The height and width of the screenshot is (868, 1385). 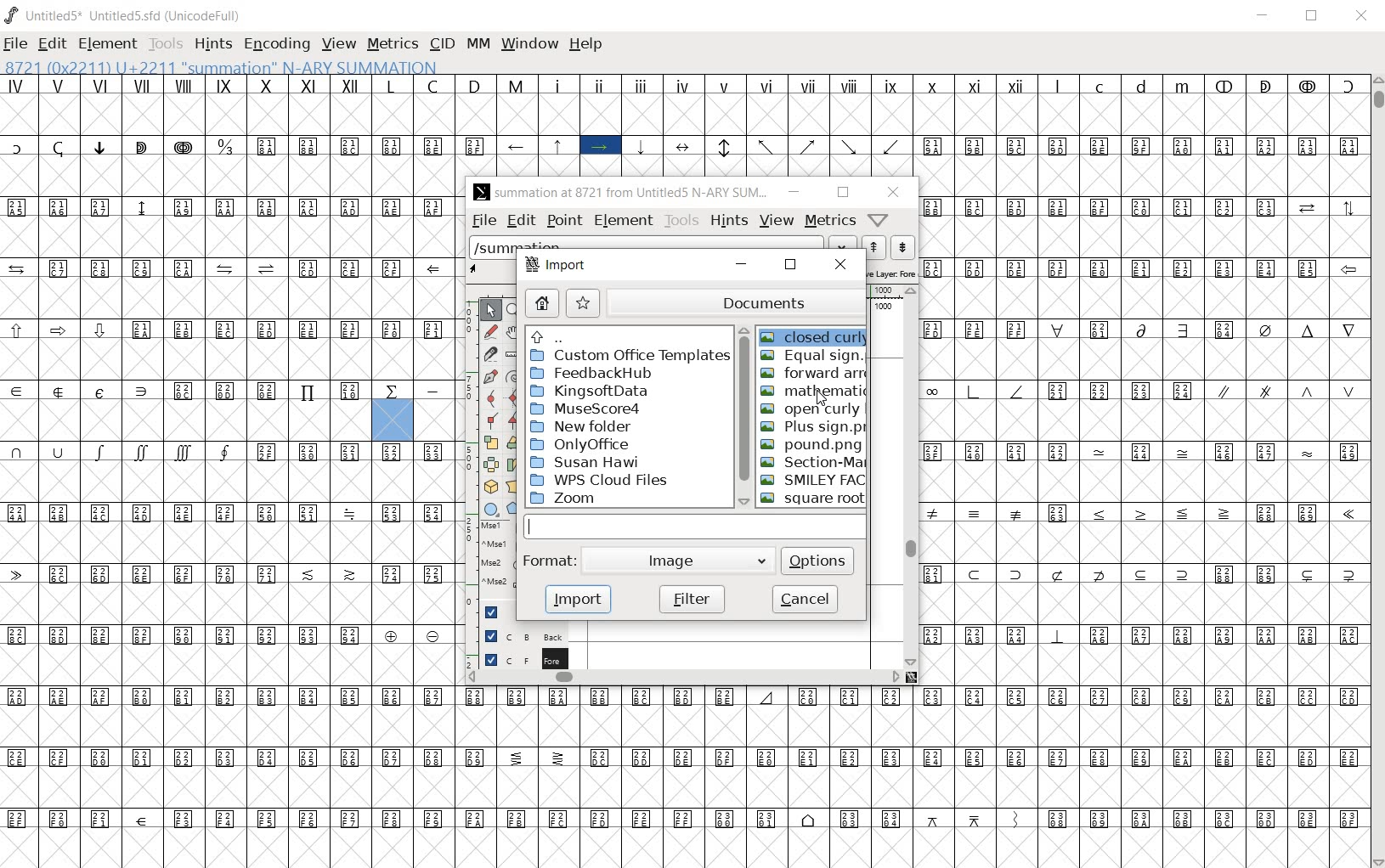 I want to click on active layer: Fore, so click(x=893, y=273).